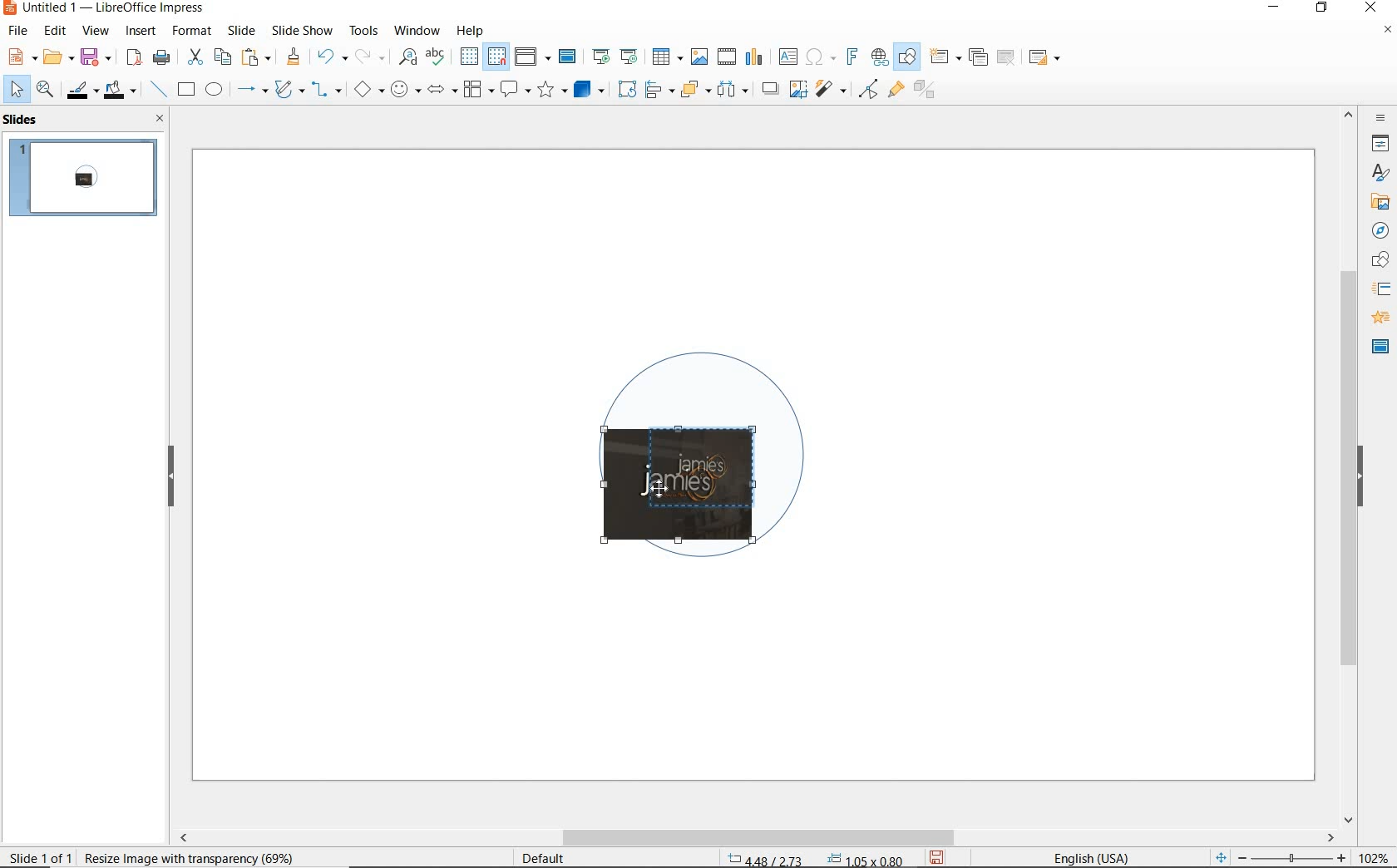  Describe the element at coordinates (1380, 289) in the screenshot. I see `slide transition` at that location.